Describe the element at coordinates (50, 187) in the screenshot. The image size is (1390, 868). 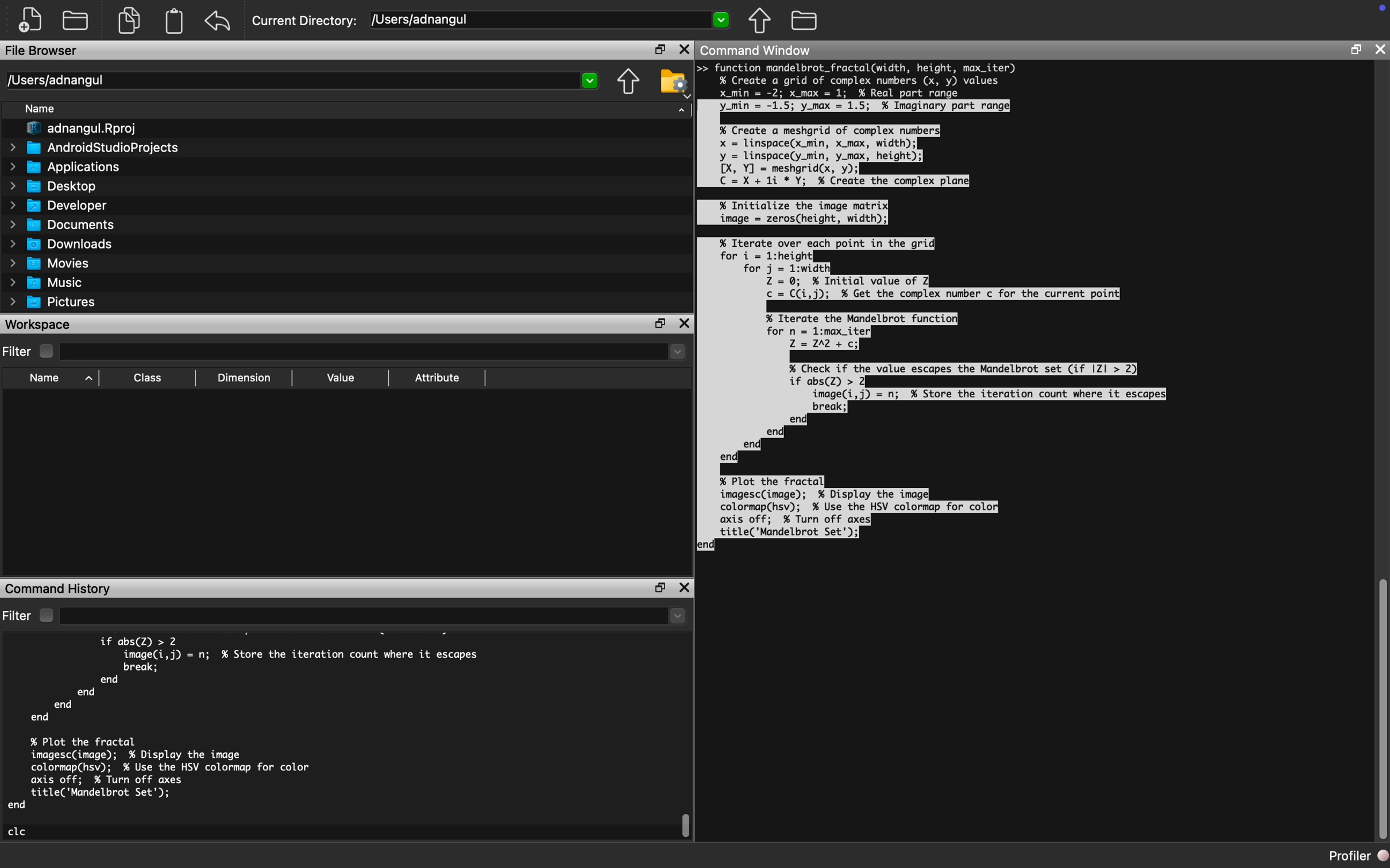
I see `Desktop` at that location.